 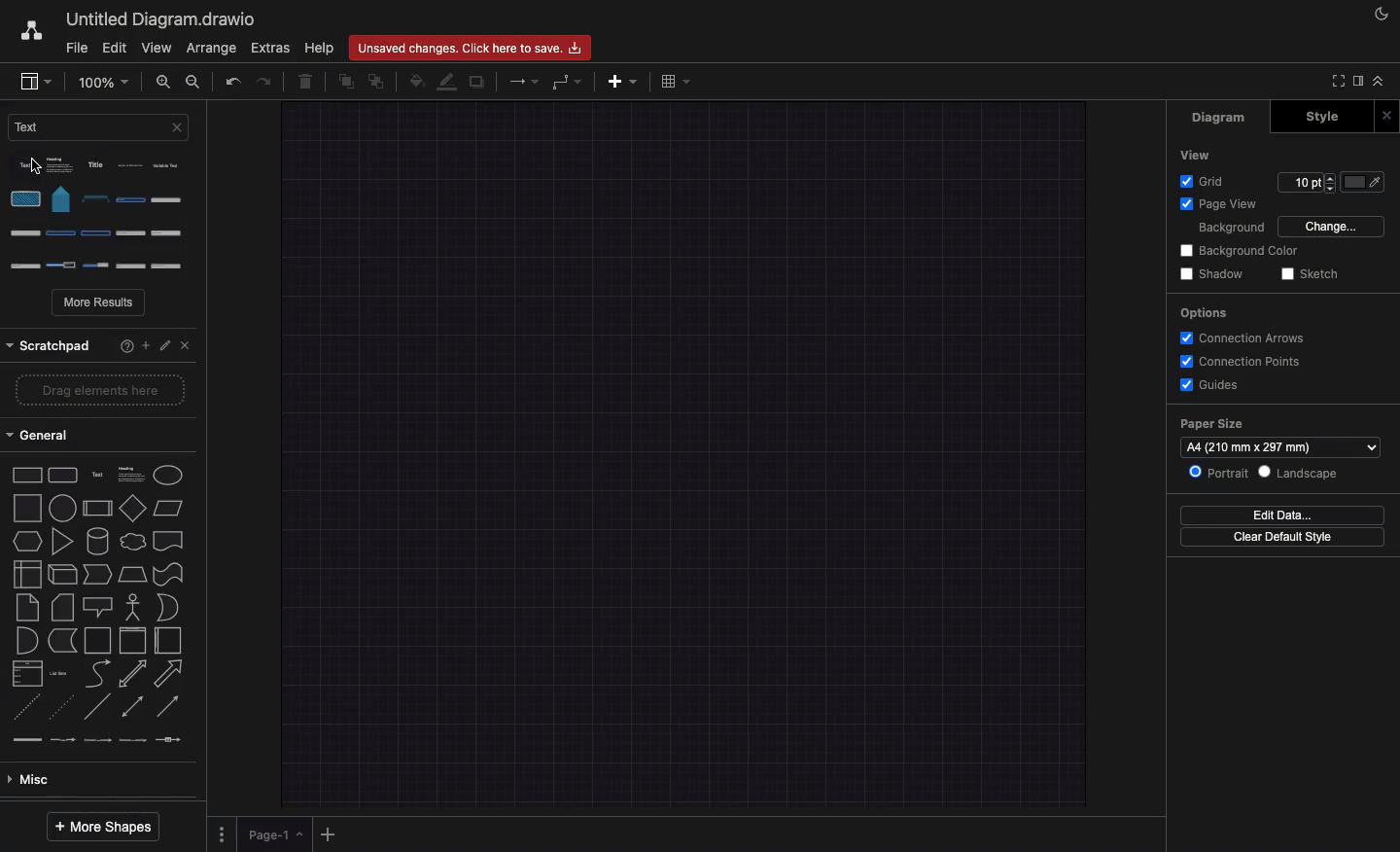 I want to click on Add, so click(x=331, y=834).